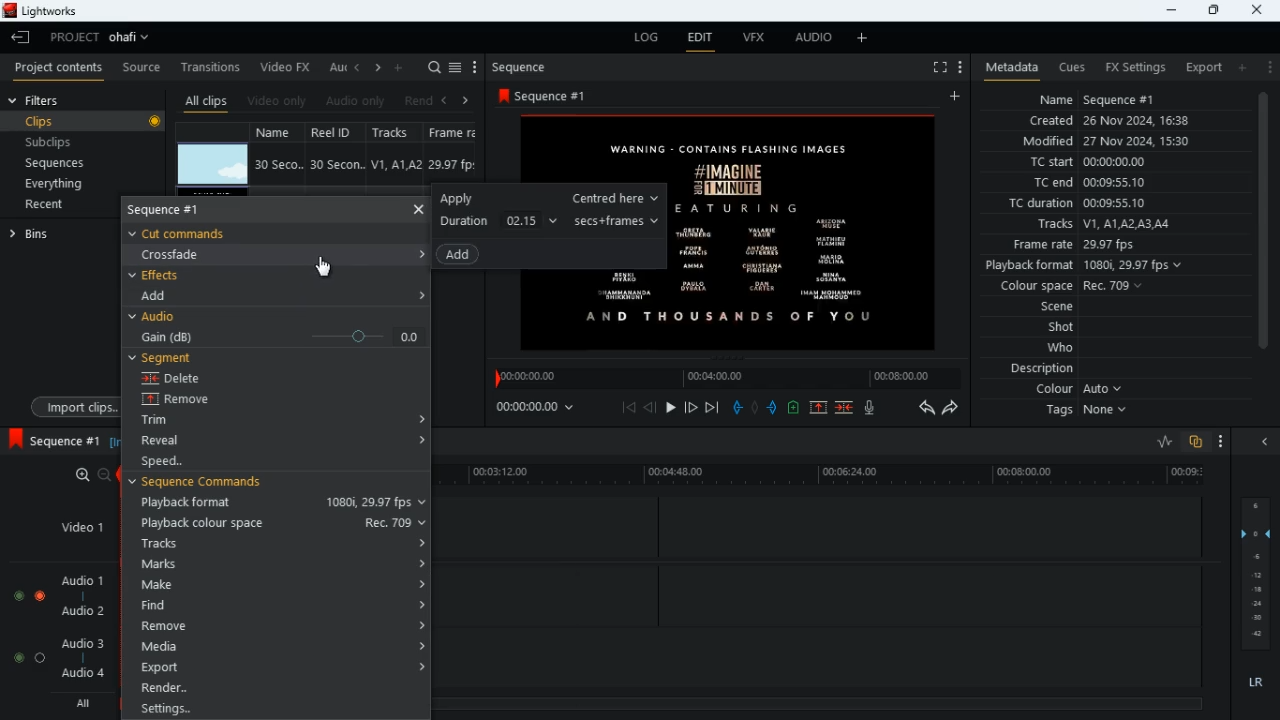 The image size is (1280, 720). I want to click on colour space, so click(1066, 287).